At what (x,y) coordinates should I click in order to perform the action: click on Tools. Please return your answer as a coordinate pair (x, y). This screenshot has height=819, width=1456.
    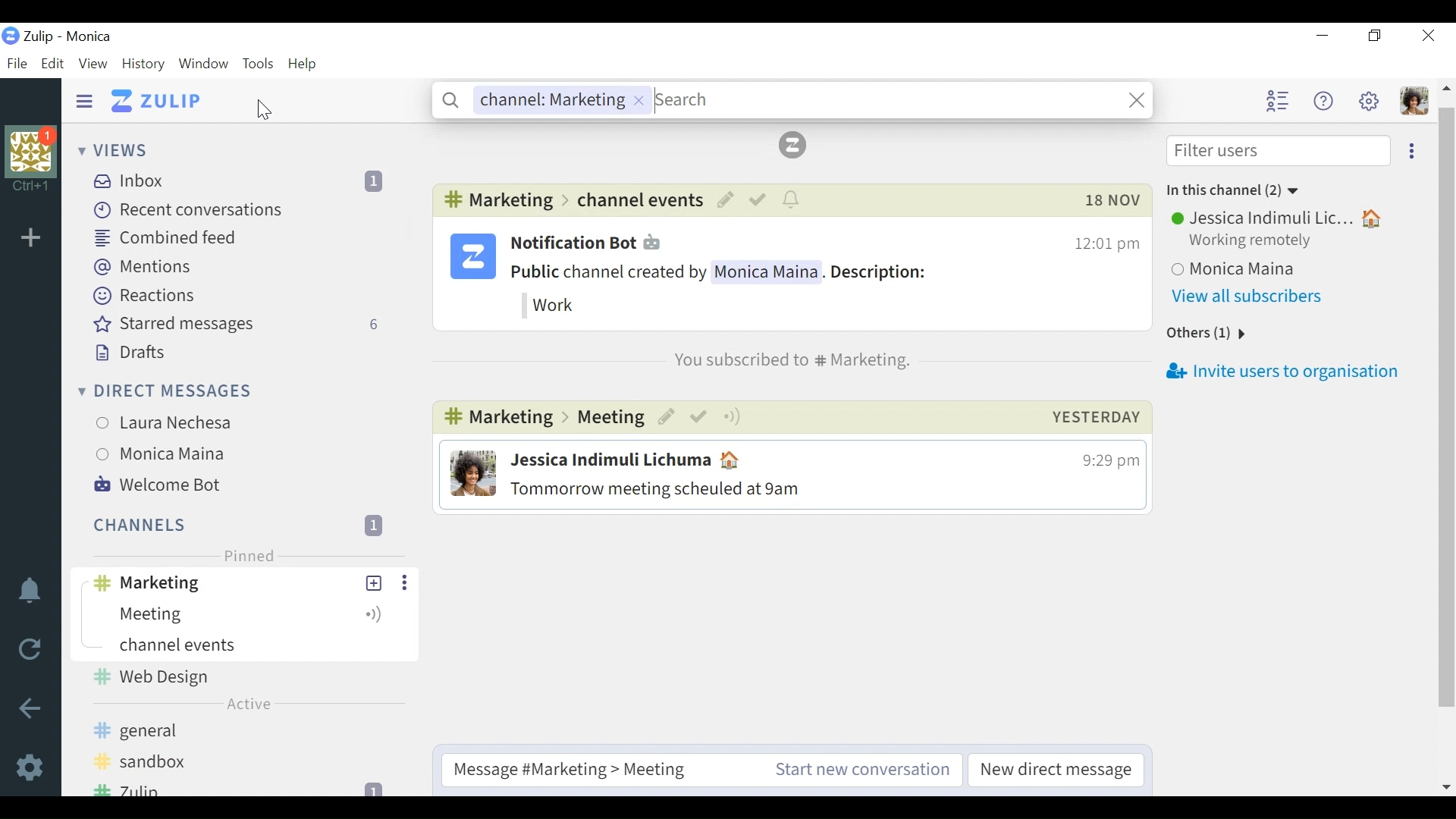
    Looking at the image, I should click on (260, 63).